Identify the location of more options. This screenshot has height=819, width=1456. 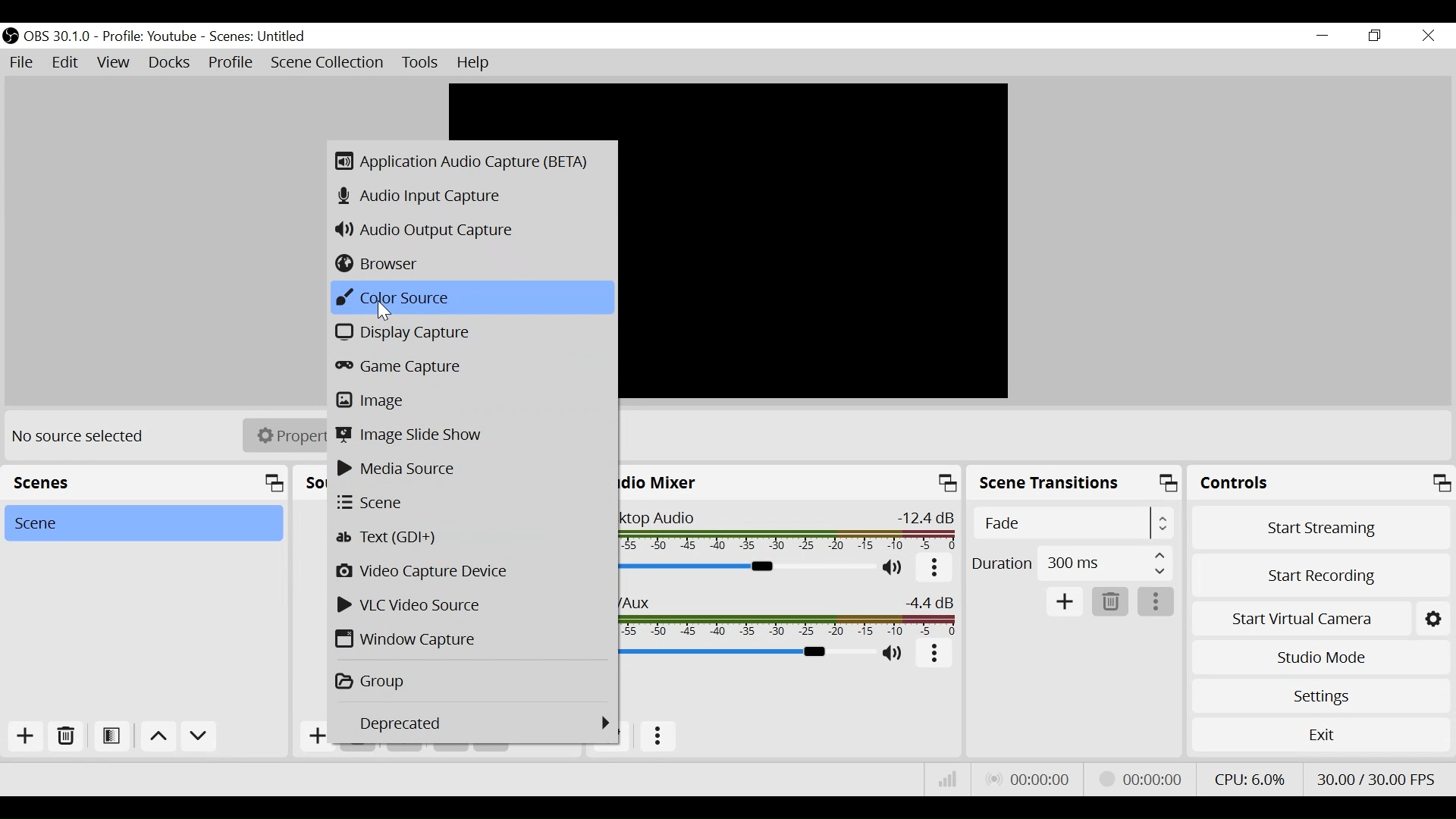
(1157, 604).